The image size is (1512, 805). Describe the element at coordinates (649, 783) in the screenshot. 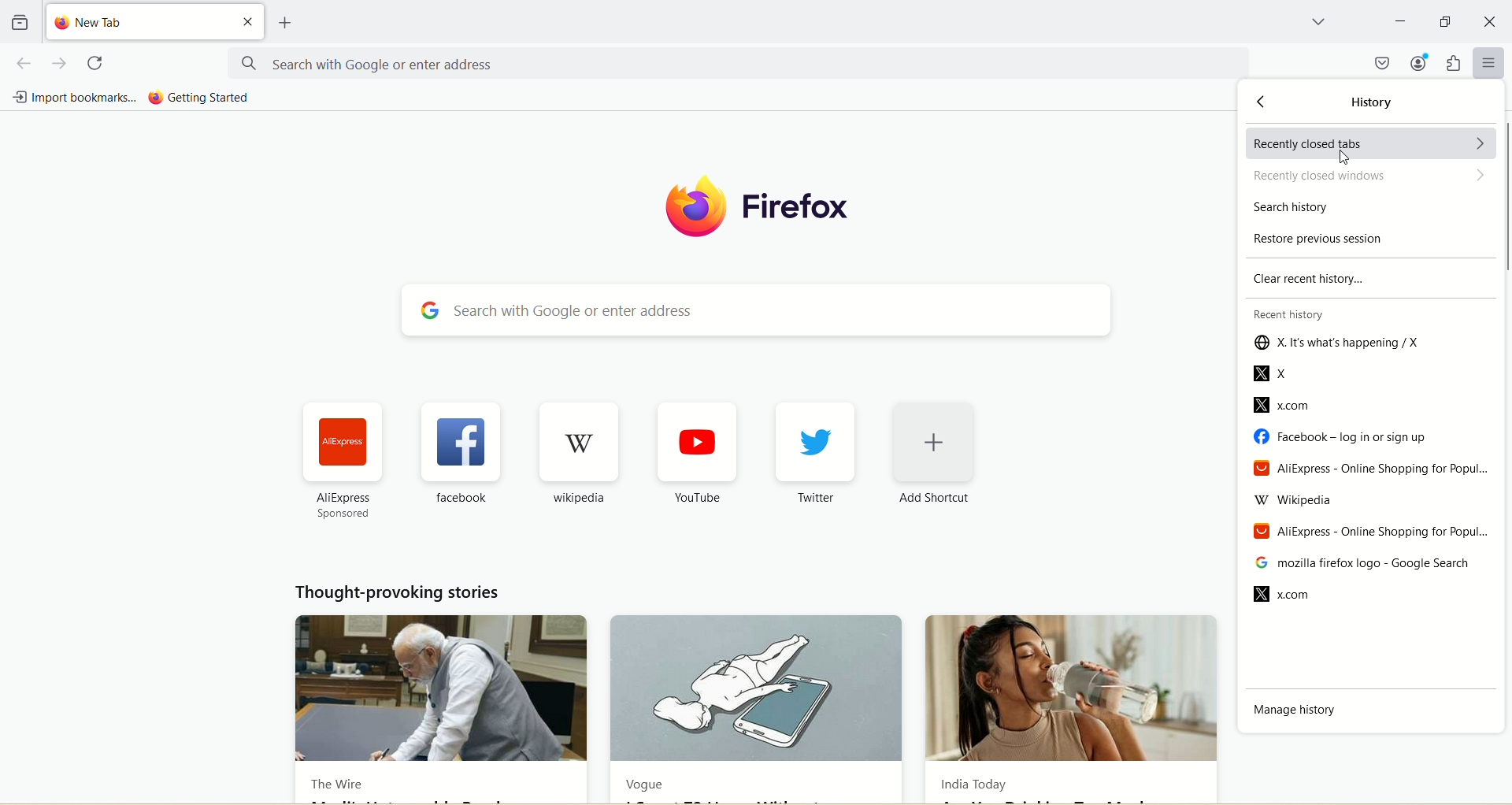

I see `Vogue` at that location.